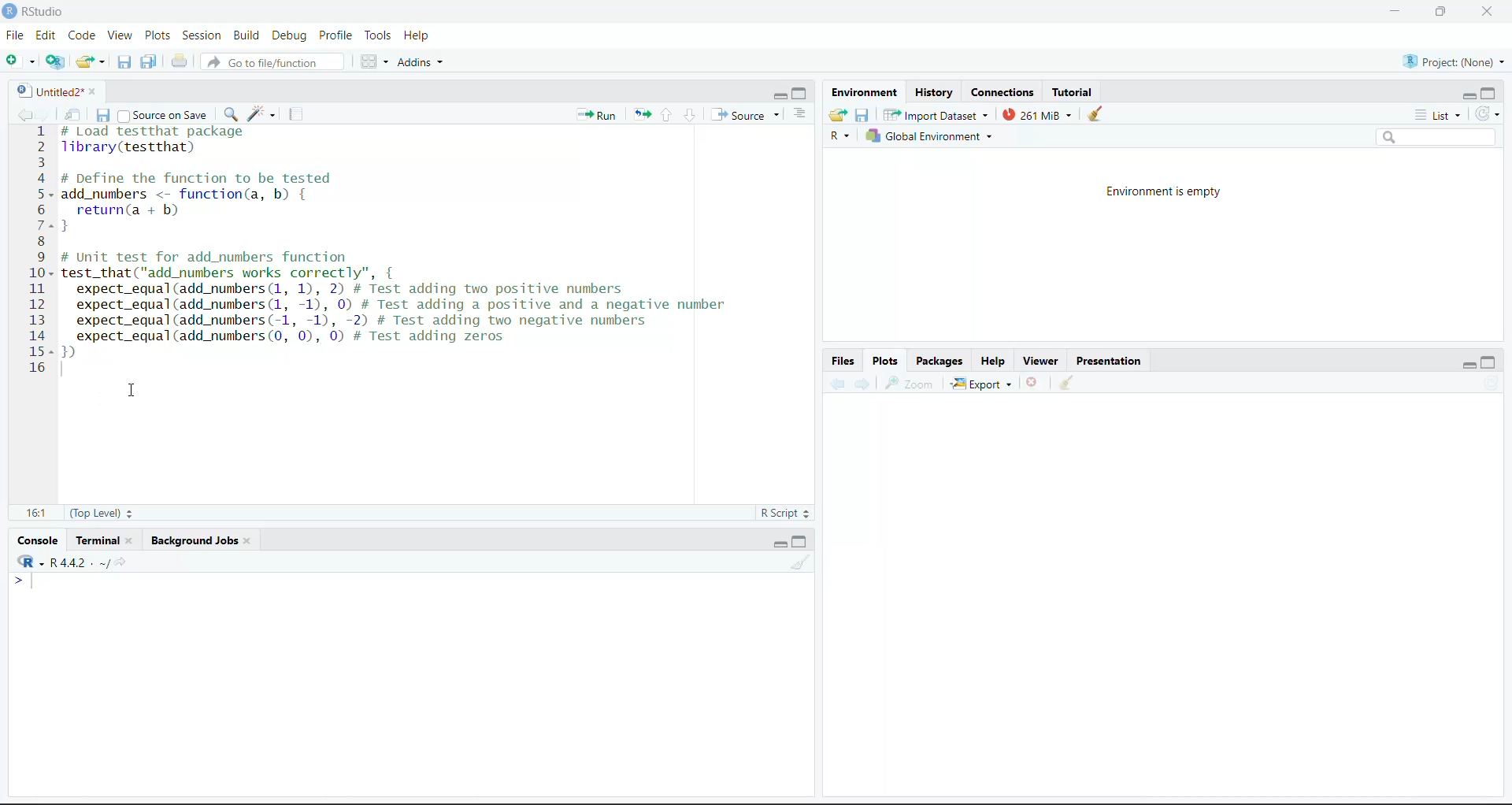 The height and width of the screenshot is (805, 1512). What do you see at coordinates (1002, 91) in the screenshot?
I see `Connections` at bounding box center [1002, 91].